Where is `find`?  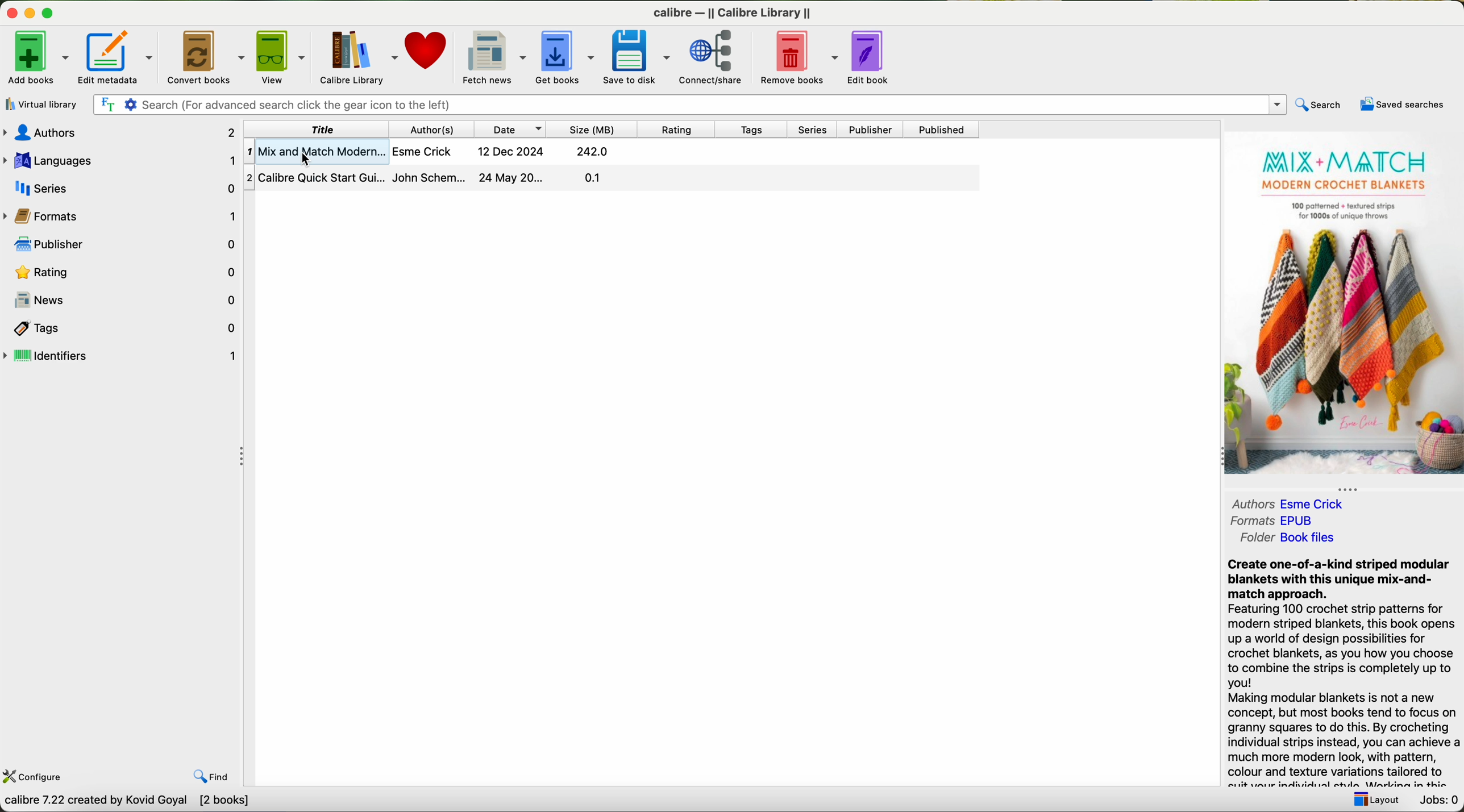
find is located at coordinates (215, 777).